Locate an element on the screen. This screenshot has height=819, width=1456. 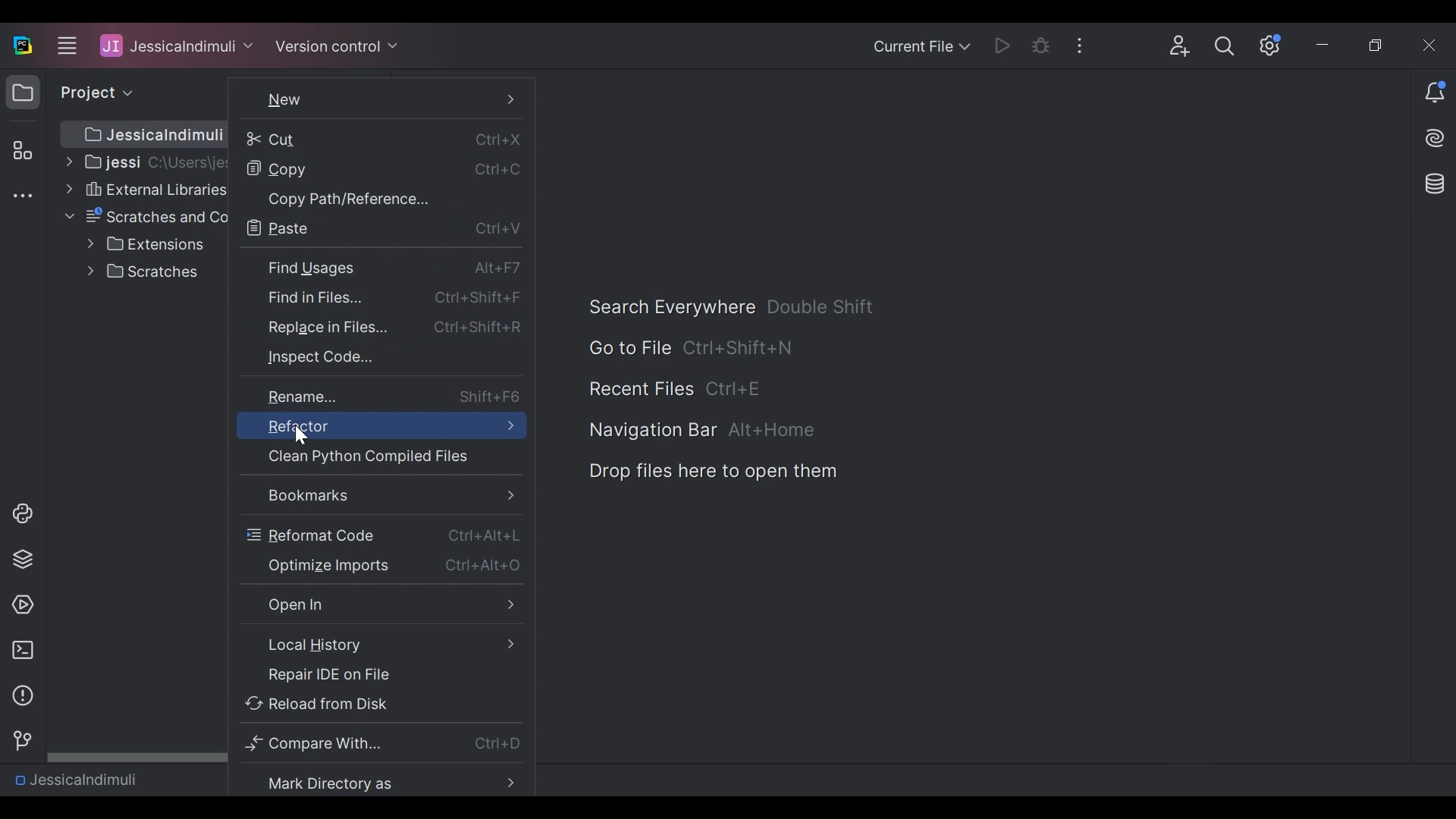
Ctrl+E is located at coordinates (737, 391).